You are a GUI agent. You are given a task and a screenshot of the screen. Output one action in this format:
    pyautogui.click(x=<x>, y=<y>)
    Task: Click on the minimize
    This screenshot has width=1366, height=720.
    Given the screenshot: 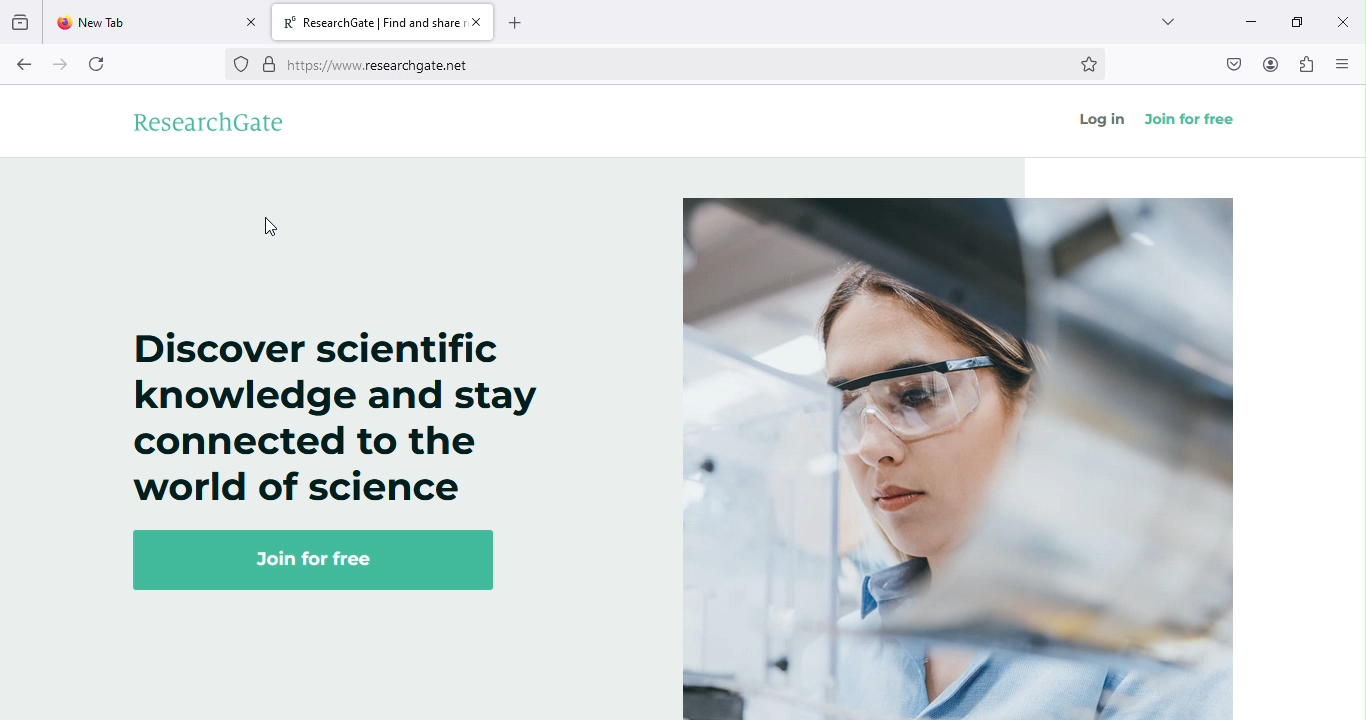 What is the action you would take?
    pyautogui.click(x=1252, y=20)
    